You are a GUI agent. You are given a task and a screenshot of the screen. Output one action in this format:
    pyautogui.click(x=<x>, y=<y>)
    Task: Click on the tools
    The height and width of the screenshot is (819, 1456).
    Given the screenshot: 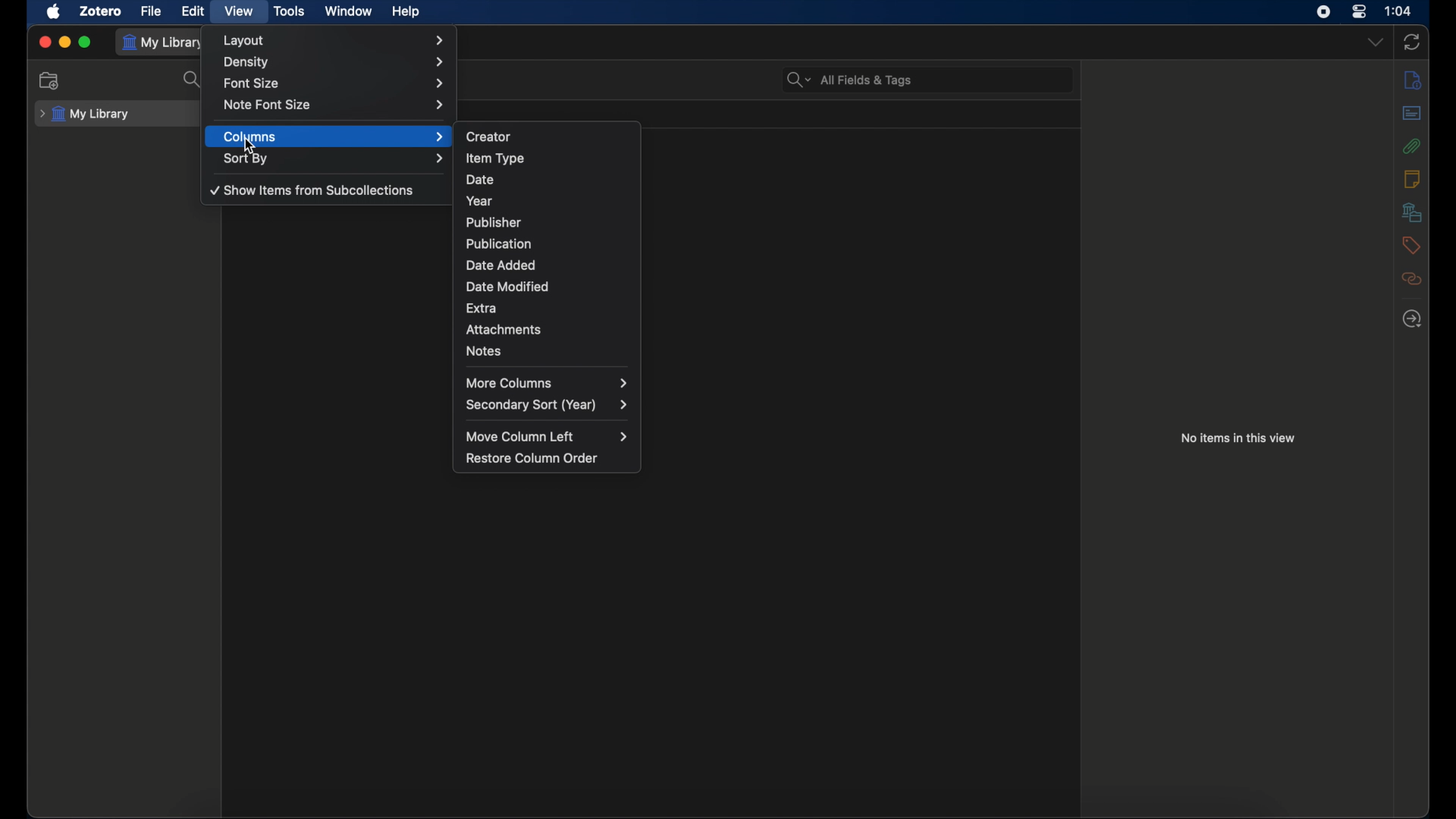 What is the action you would take?
    pyautogui.click(x=290, y=11)
    